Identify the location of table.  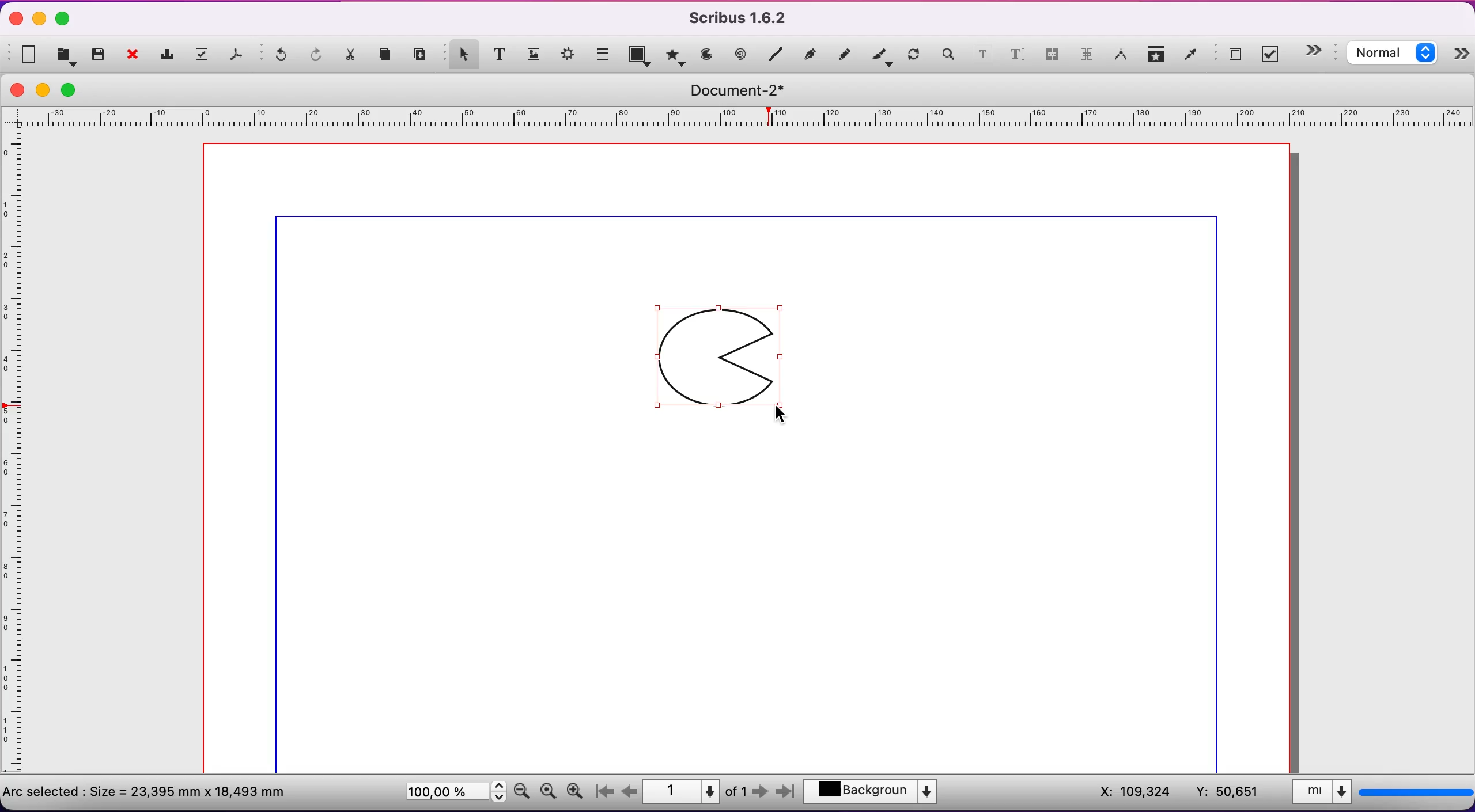
(604, 52).